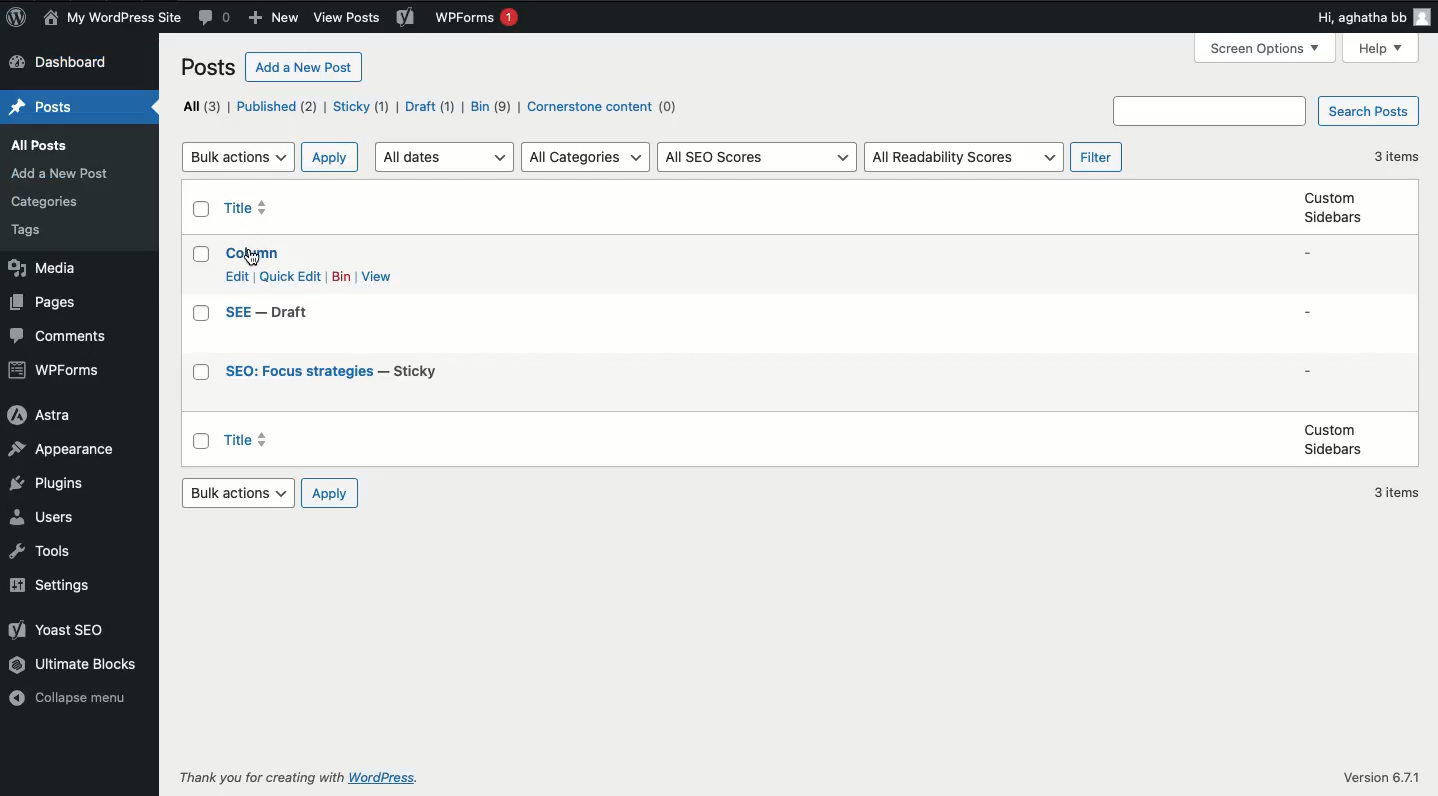 This screenshot has height=796, width=1438. Describe the element at coordinates (1378, 49) in the screenshot. I see `Help` at that location.